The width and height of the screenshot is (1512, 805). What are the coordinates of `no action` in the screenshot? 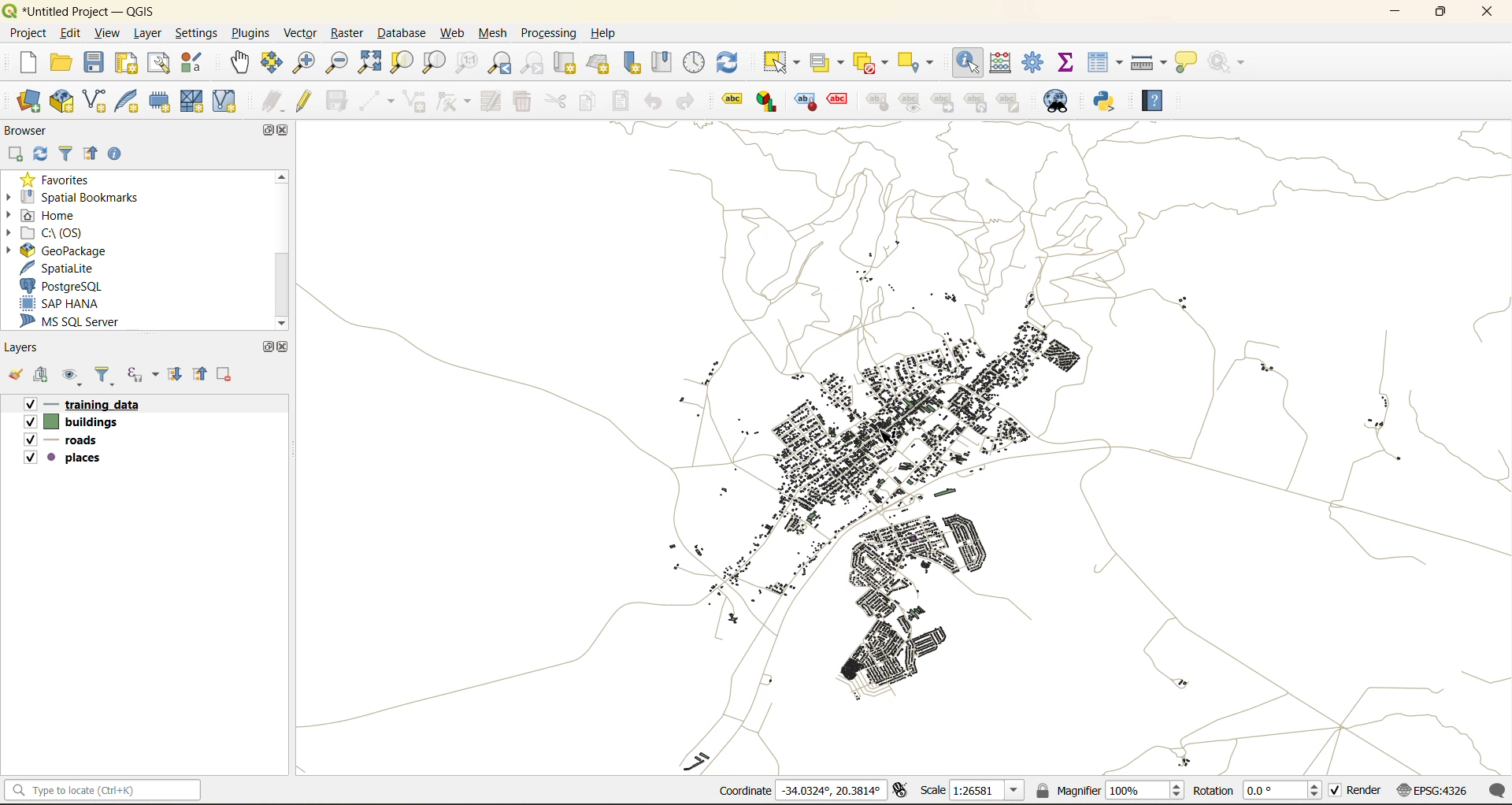 It's located at (1228, 62).